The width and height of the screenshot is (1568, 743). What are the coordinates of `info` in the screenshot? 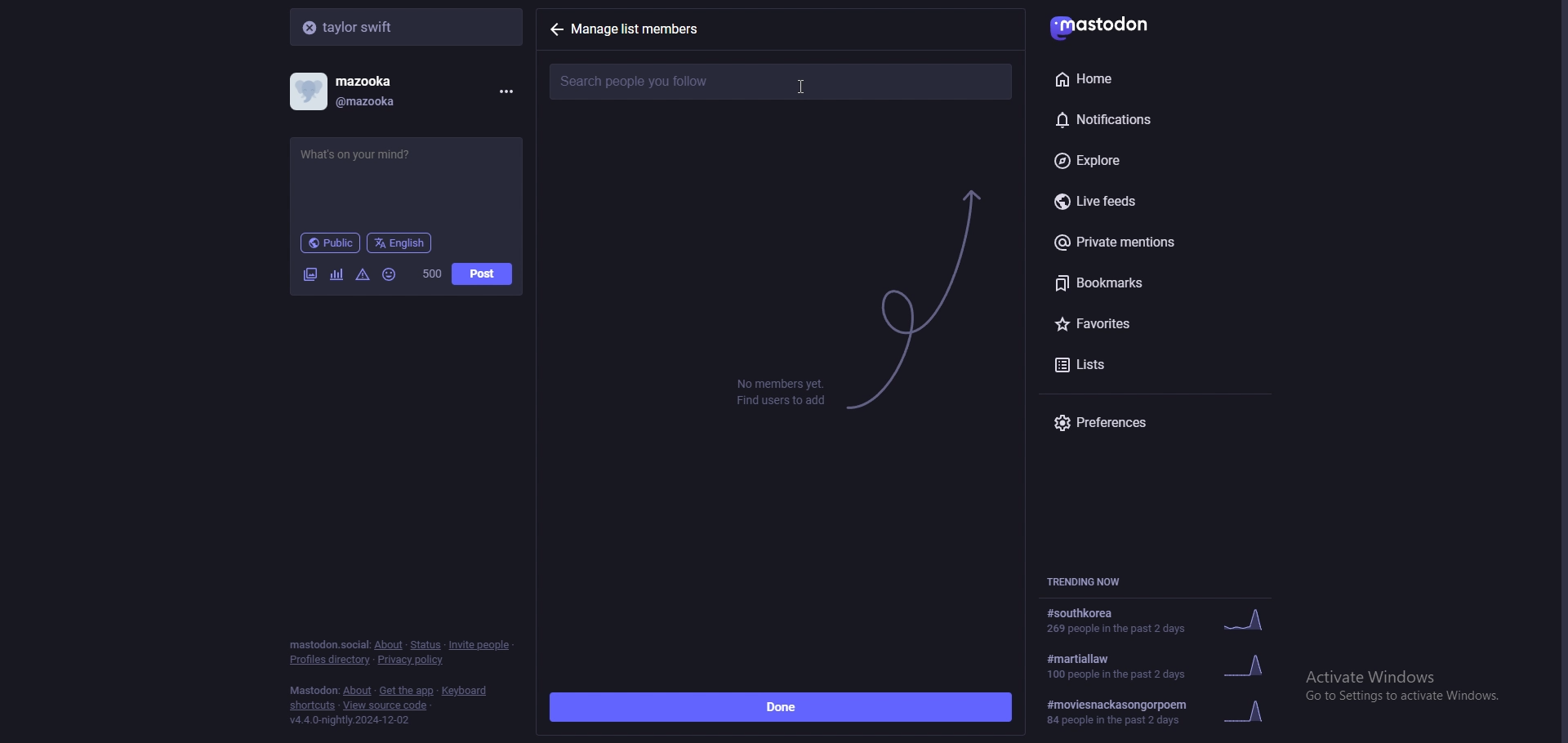 It's located at (781, 391).